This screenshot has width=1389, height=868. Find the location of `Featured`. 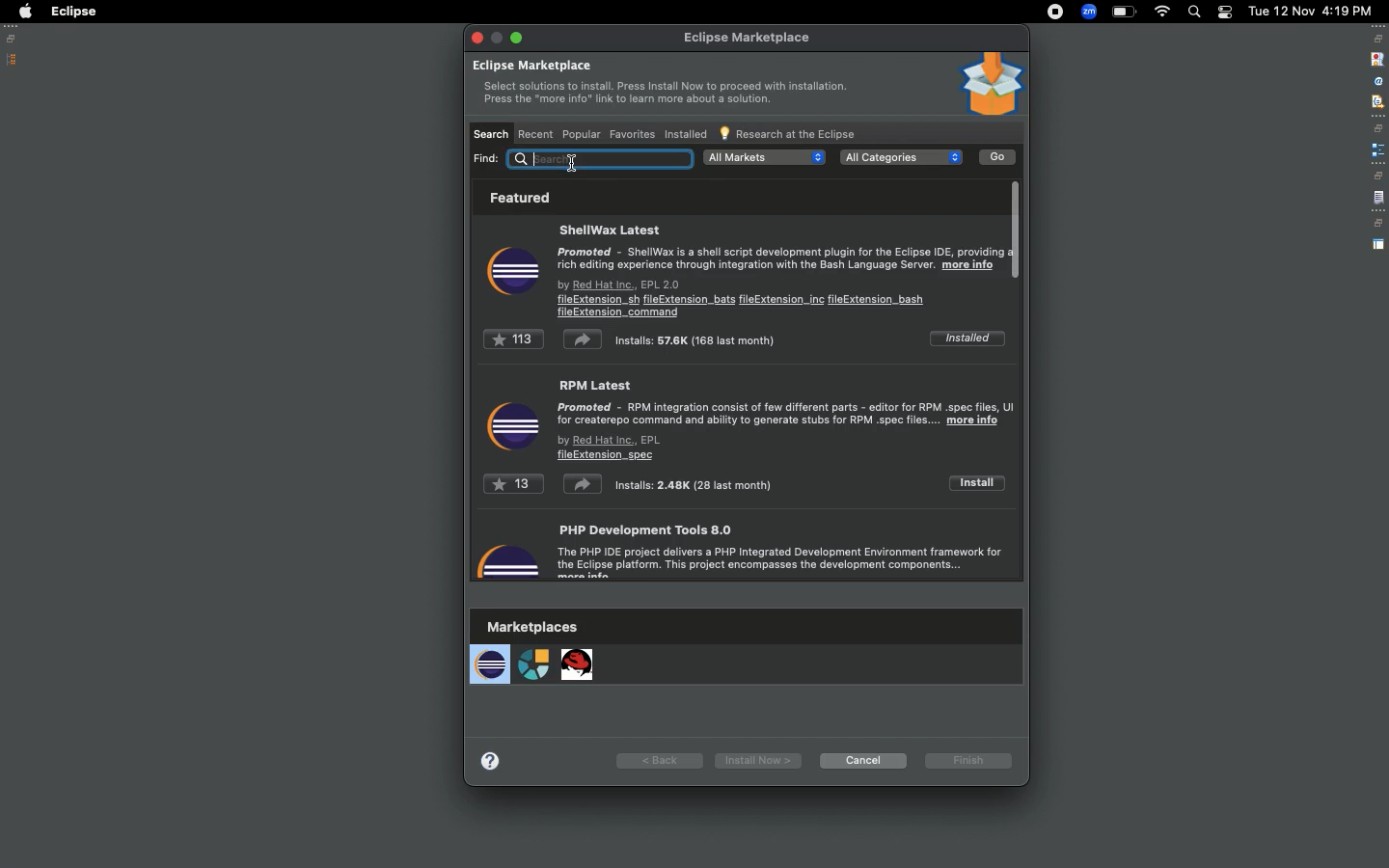

Featured is located at coordinates (516, 197).